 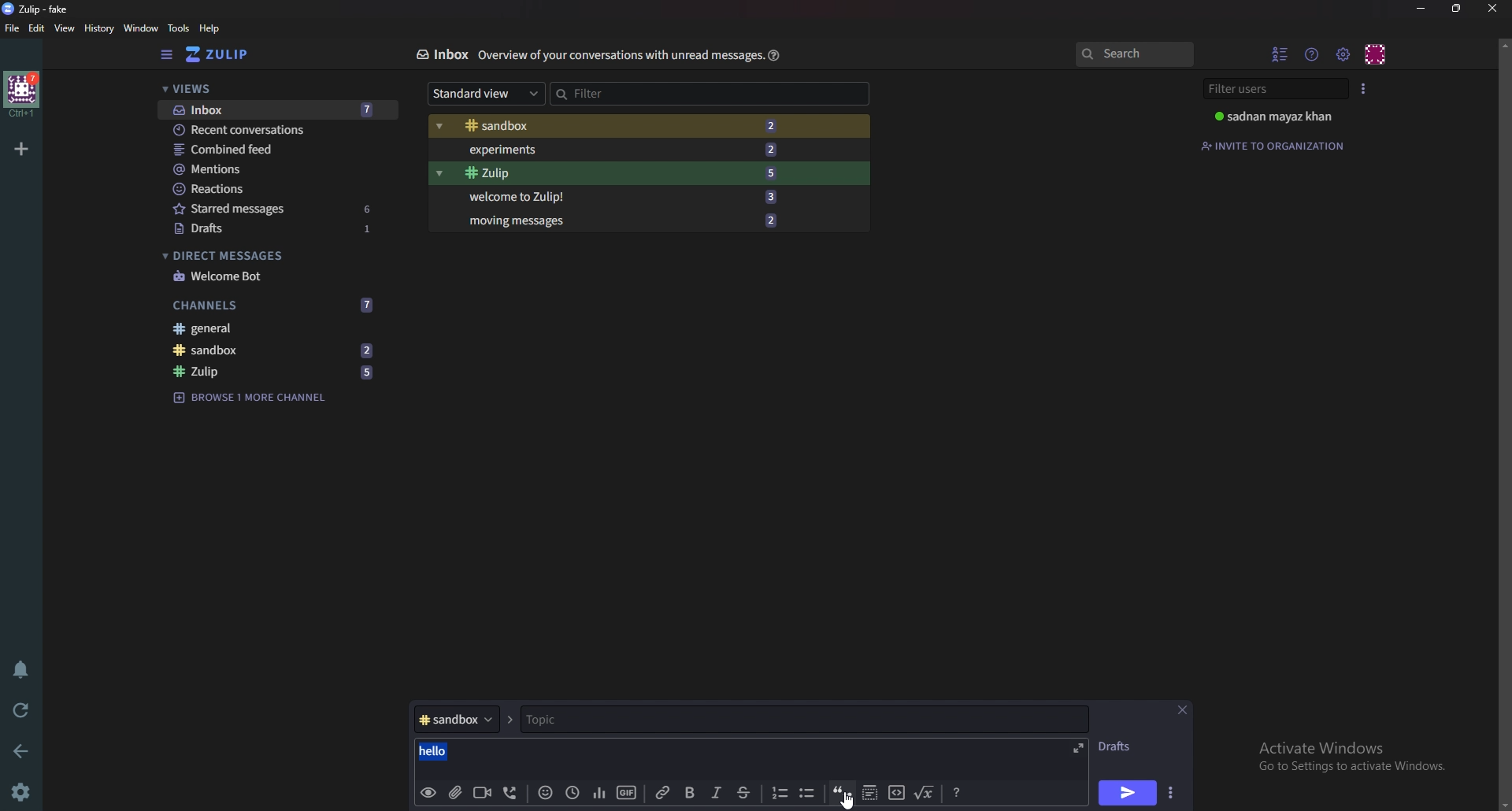 What do you see at coordinates (535, 174) in the screenshot?
I see `# Zulip` at bounding box center [535, 174].